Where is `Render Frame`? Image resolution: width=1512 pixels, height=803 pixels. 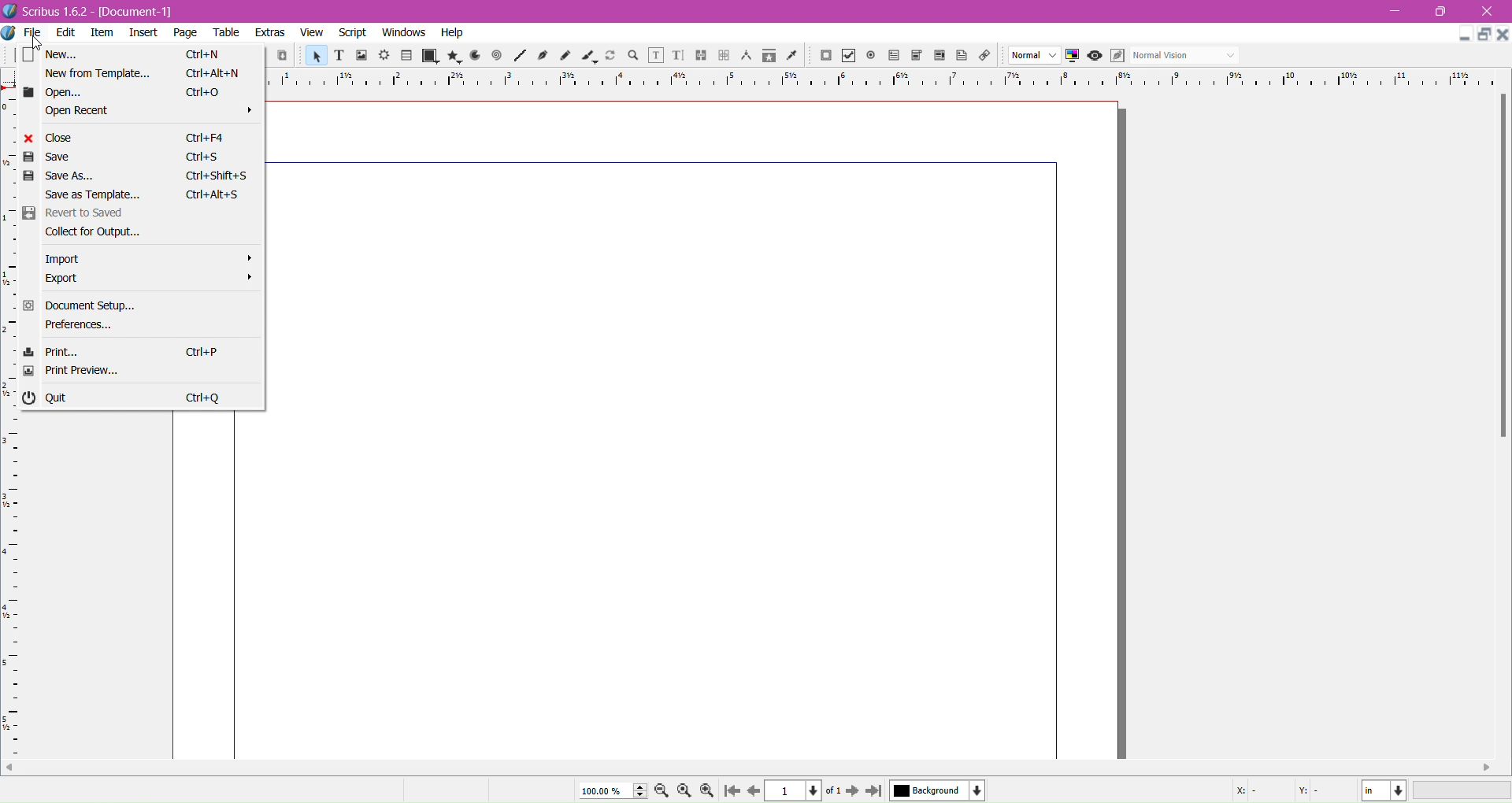 Render Frame is located at coordinates (385, 56).